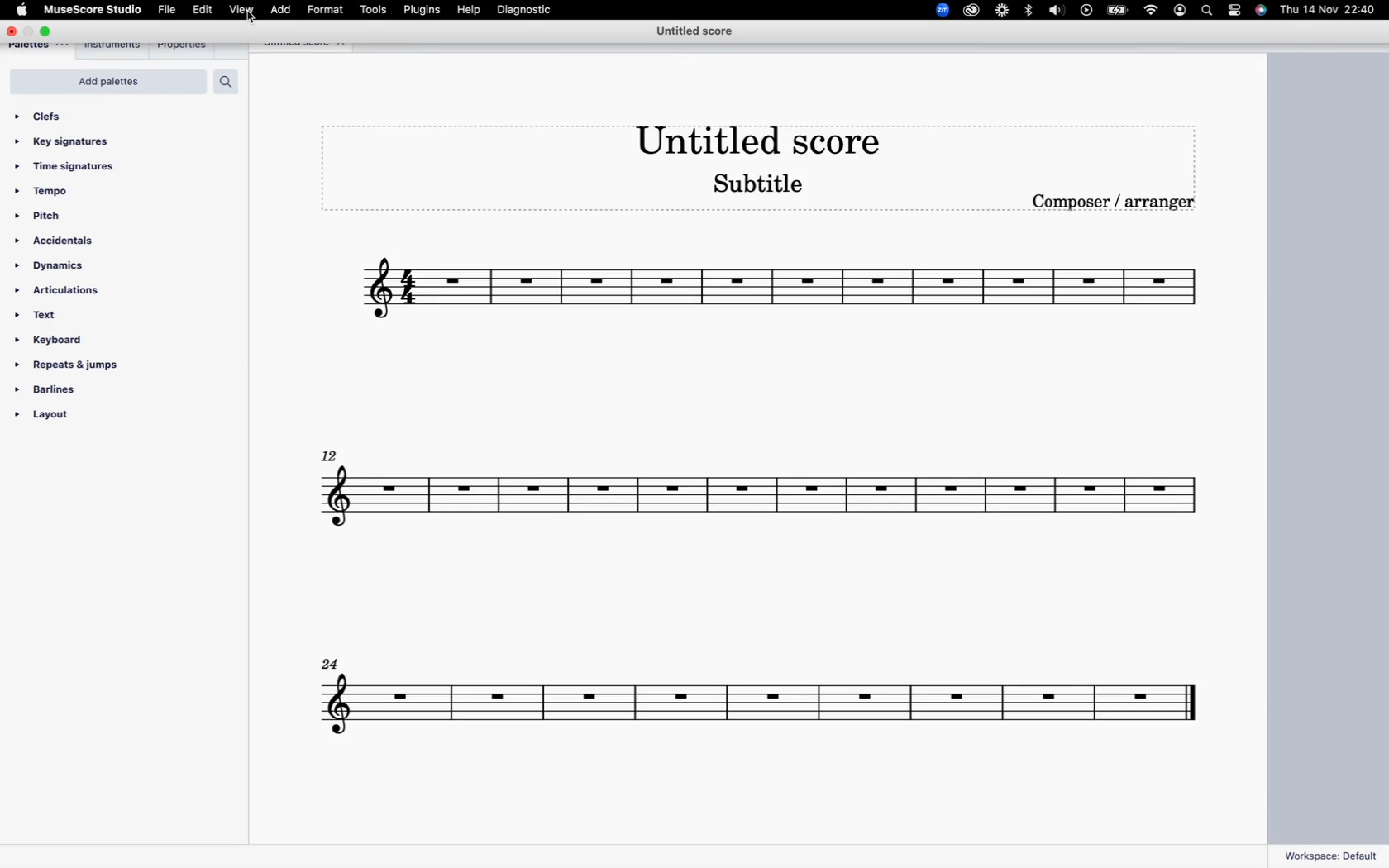 The height and width of the screenshot is (868, 1389). I want to click on add palettes, so click(112, 82).